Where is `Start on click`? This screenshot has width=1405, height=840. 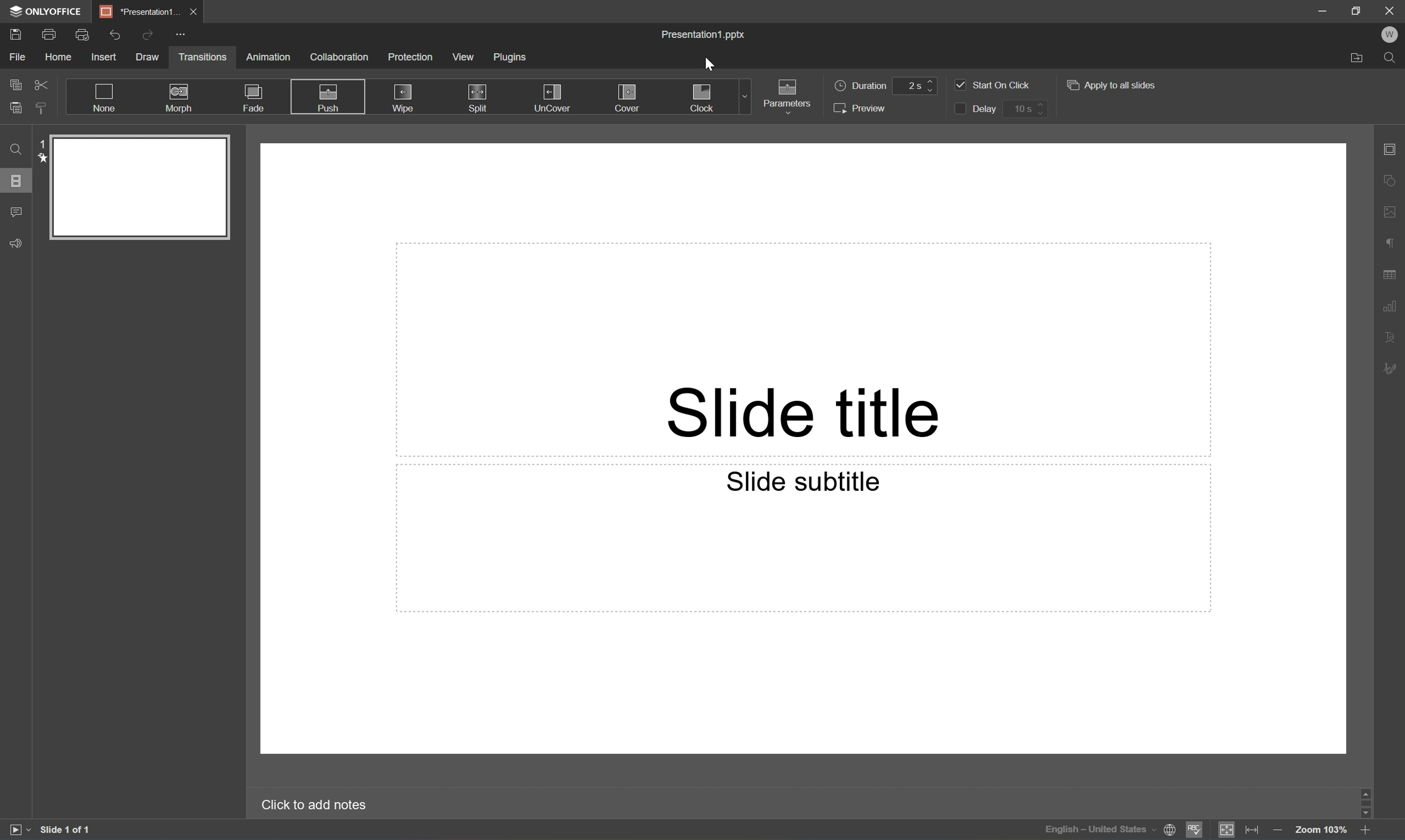 Start on click is located at coordinates (993, 84).